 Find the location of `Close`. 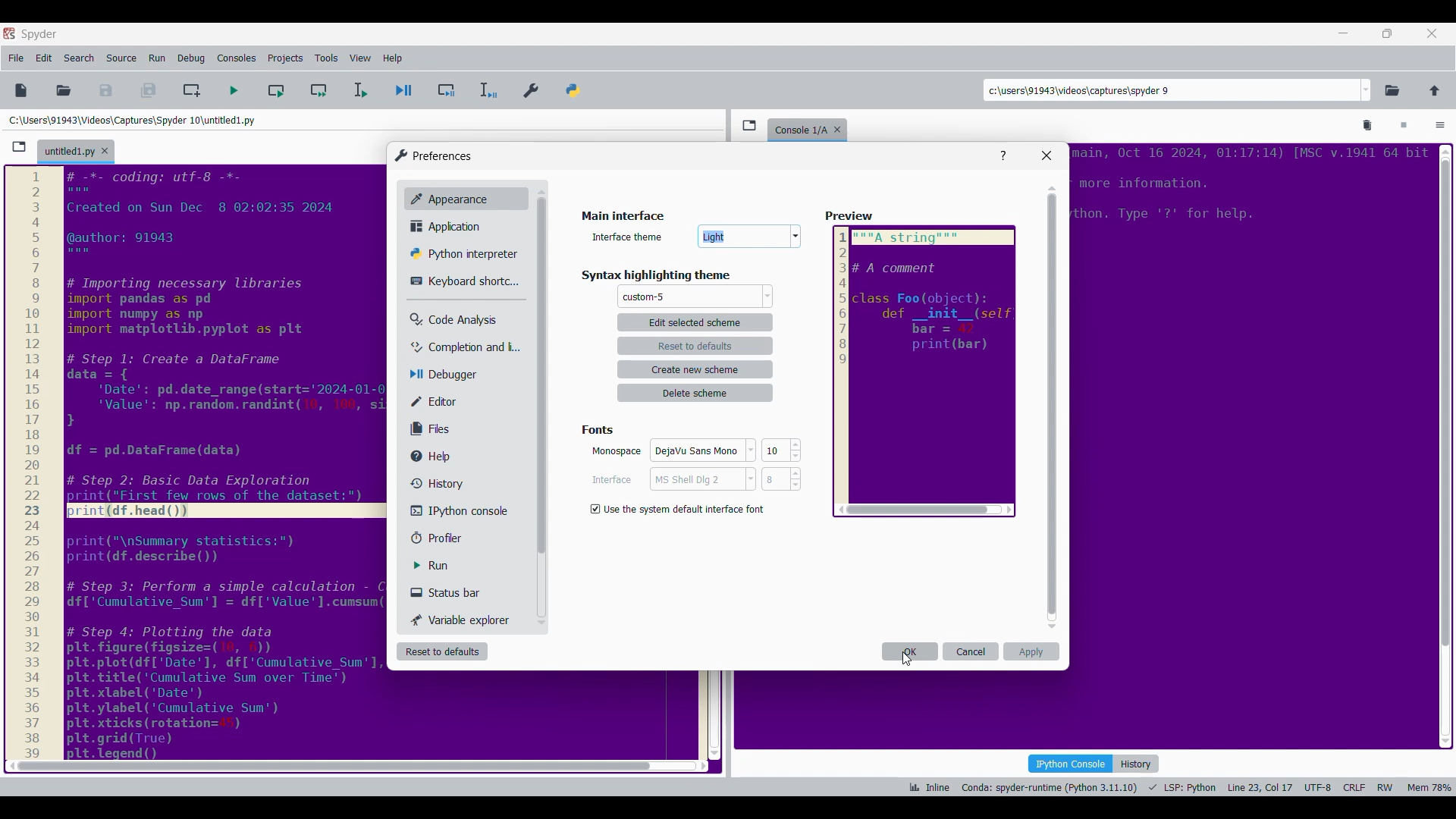

Close is located at coordinates (1046, 155).